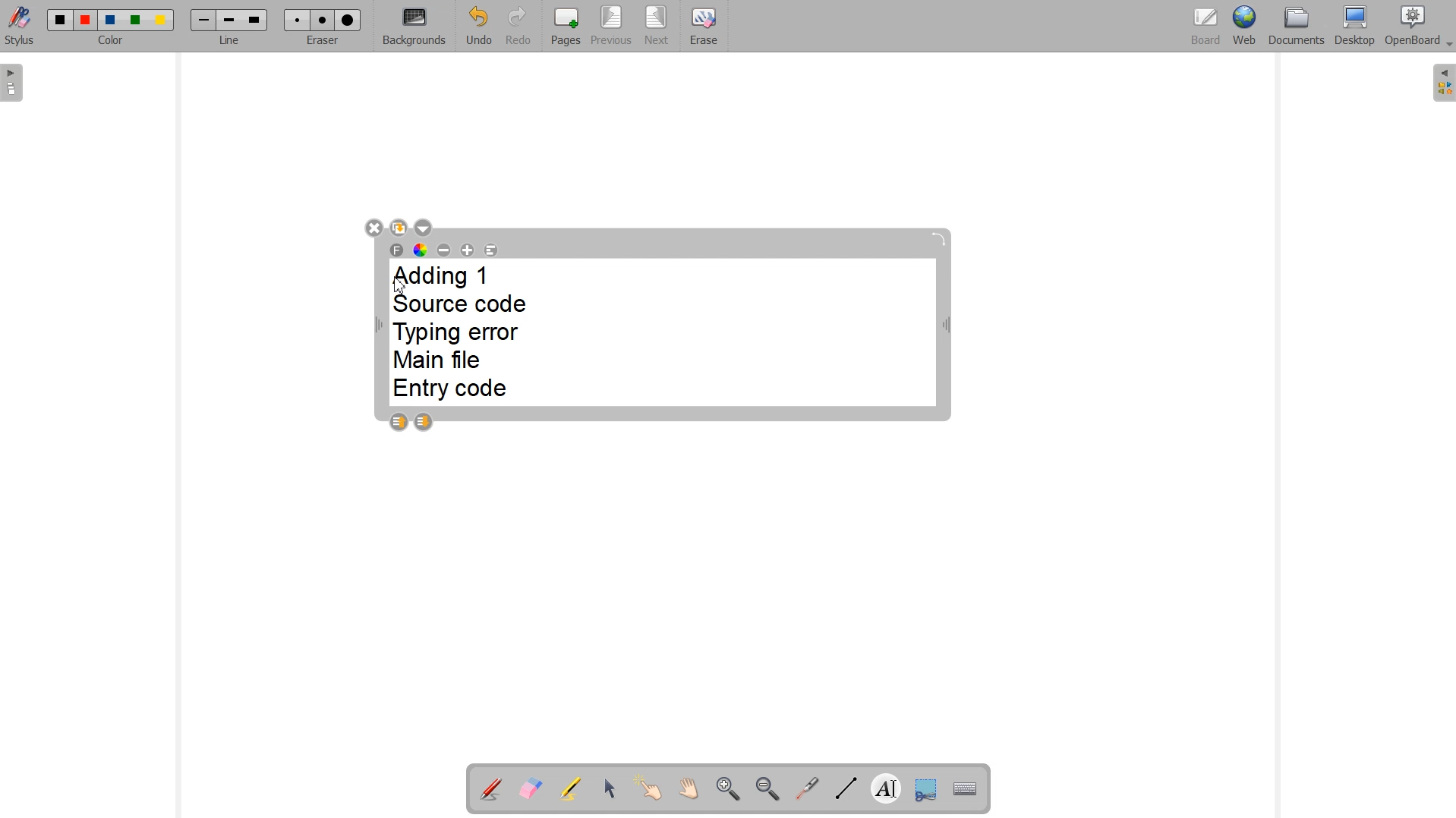 This screenshot has height=818, width=1456. Describe the element at coordinates (397, 250) in the screenshot. I see `Select font` at that location.